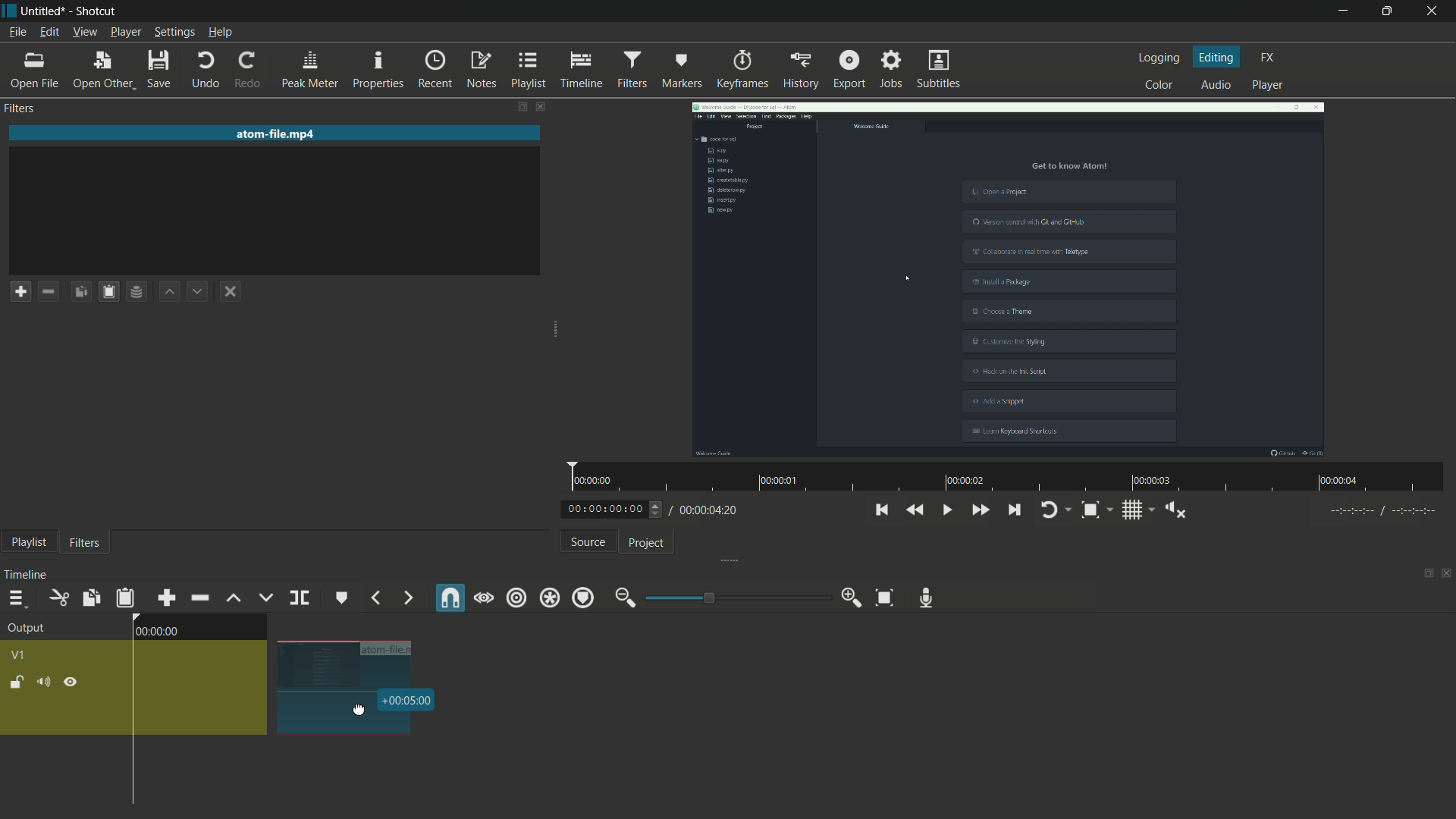 This screenshot has width=1456, height=819. Describe the element at coordinates (220, 32) in the screenshot. I see `help menu` at that location.